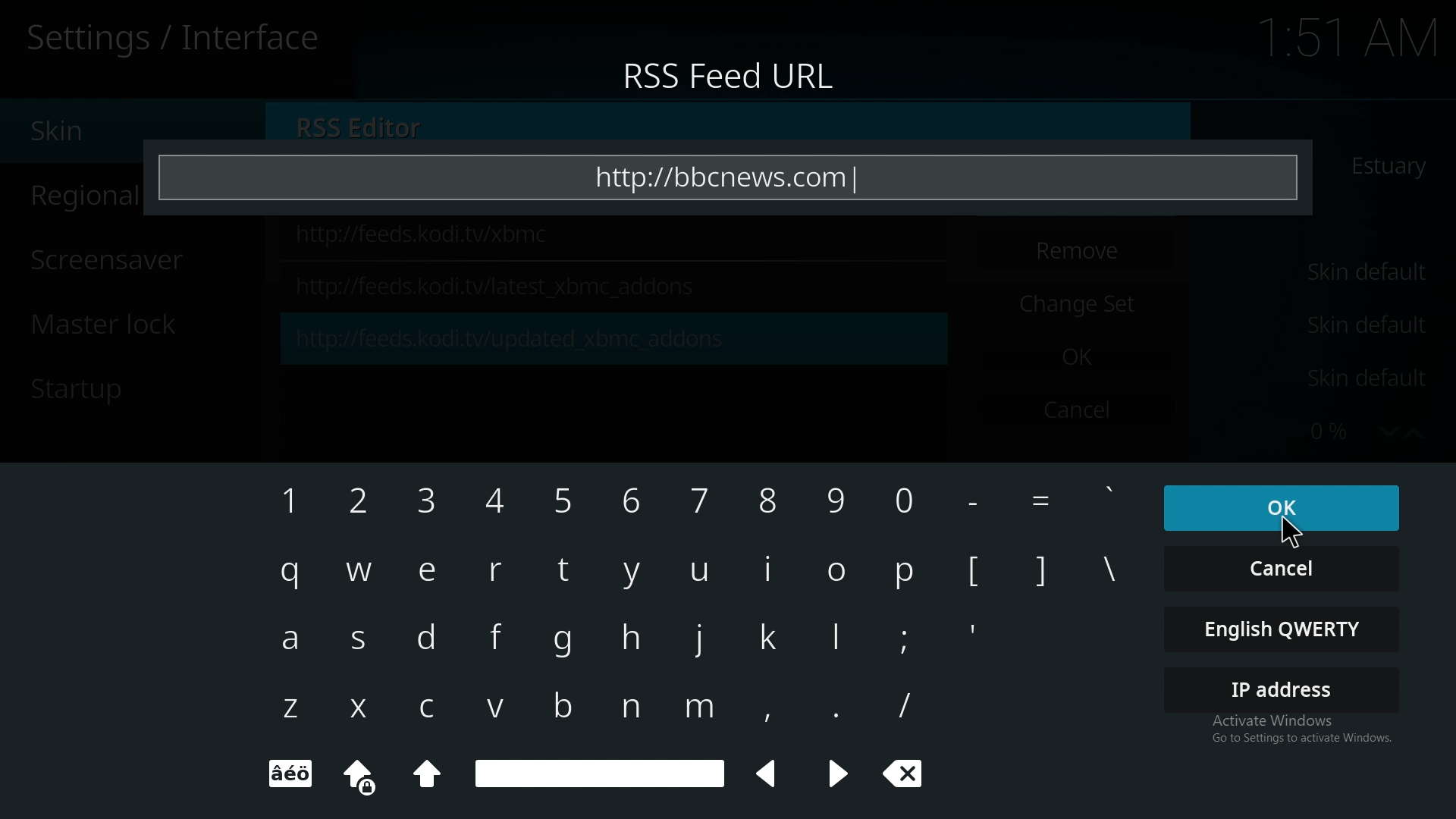 This screenshot has width=1456, height=819. What do you see at coordinates (767, 637) in the screenshot?
I see `keyboard Input` at bounding box center [767, 637].